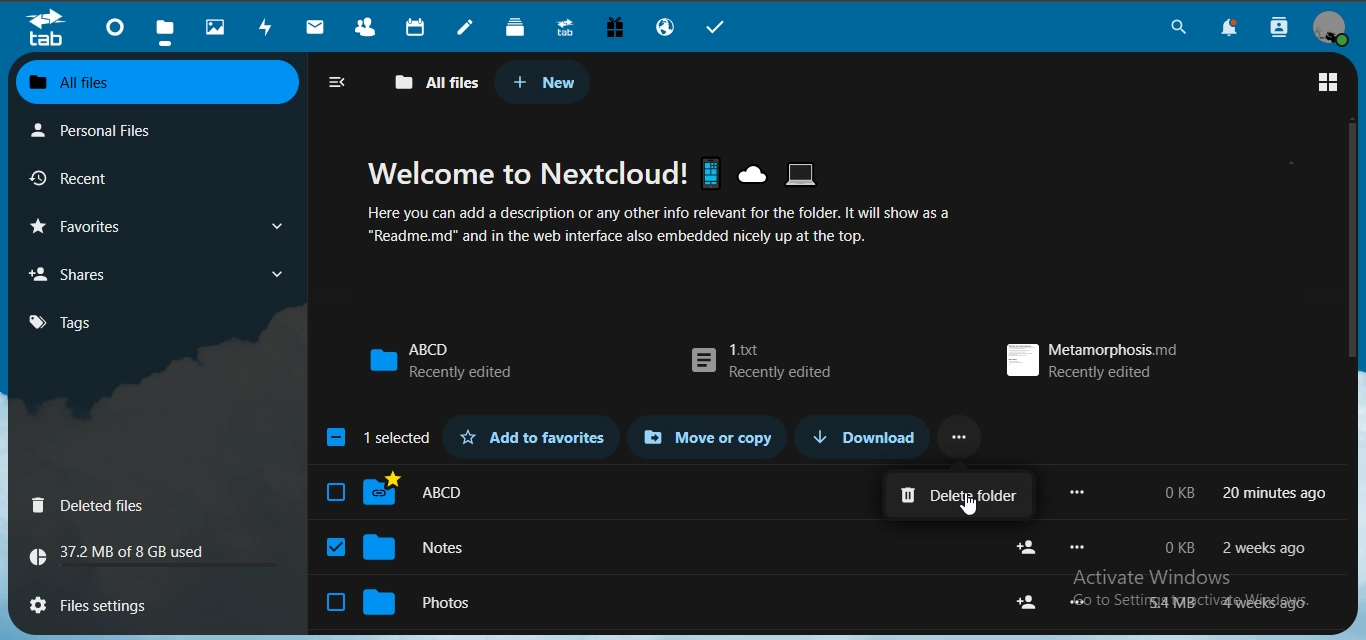 The width and height of the screenshot is (1366, 640). What do you see at coordinates (86, 322) in the screenshot?
I see `tags` at bounding box center [86, 322].